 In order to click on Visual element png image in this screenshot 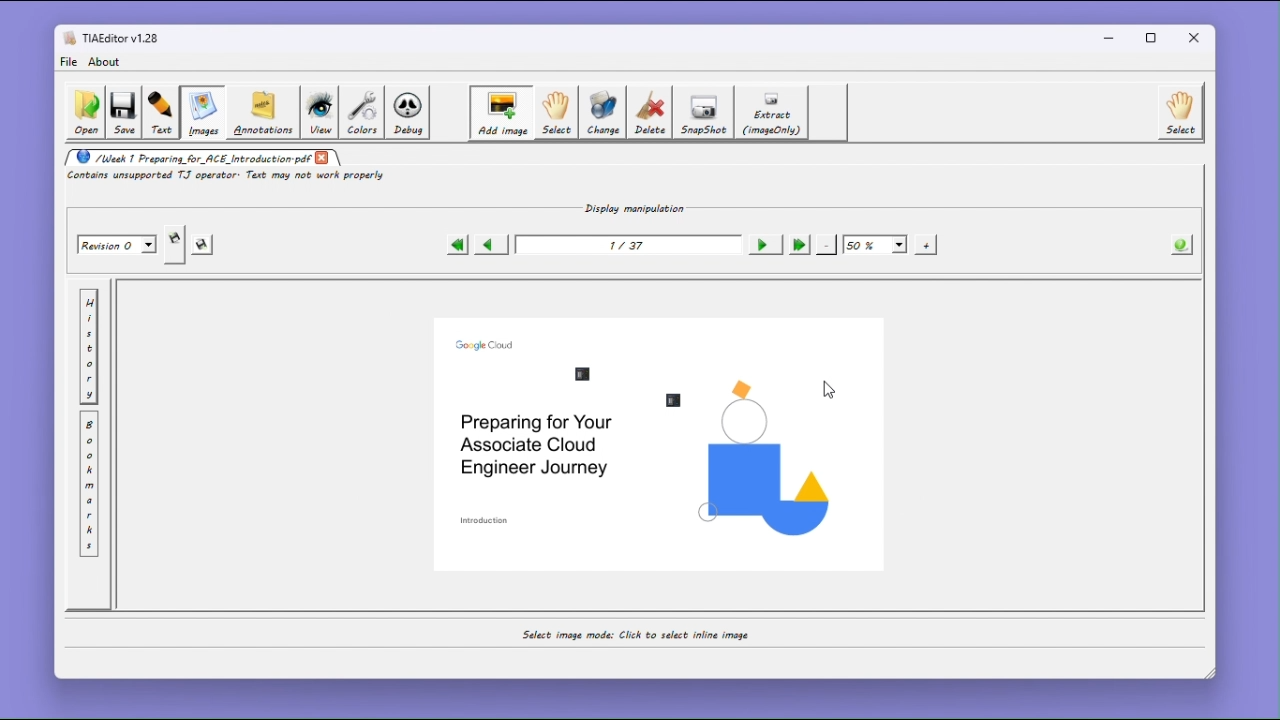, I will do `click(763, 458)`.